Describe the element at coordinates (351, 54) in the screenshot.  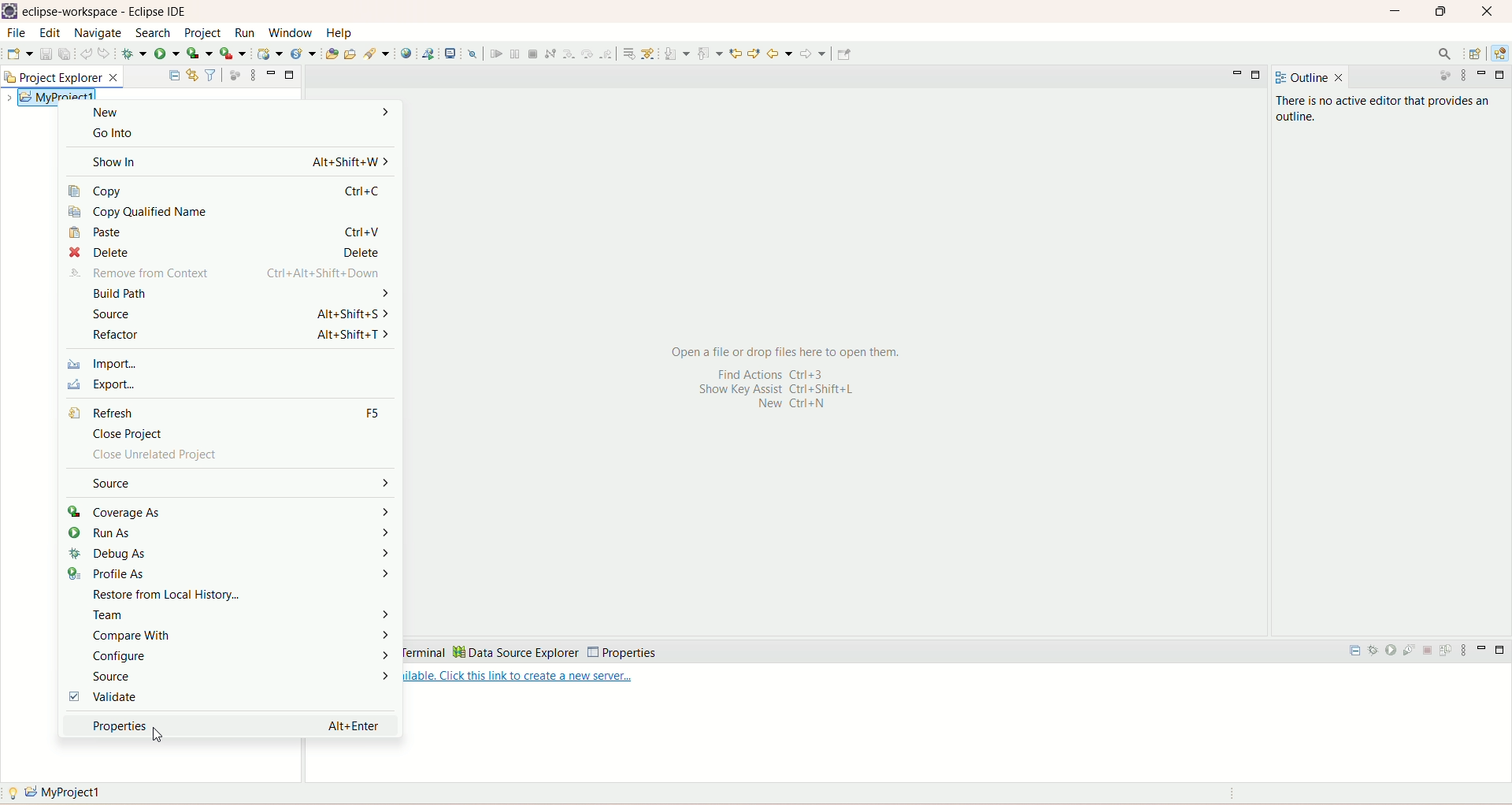
I see `open task` at that location.